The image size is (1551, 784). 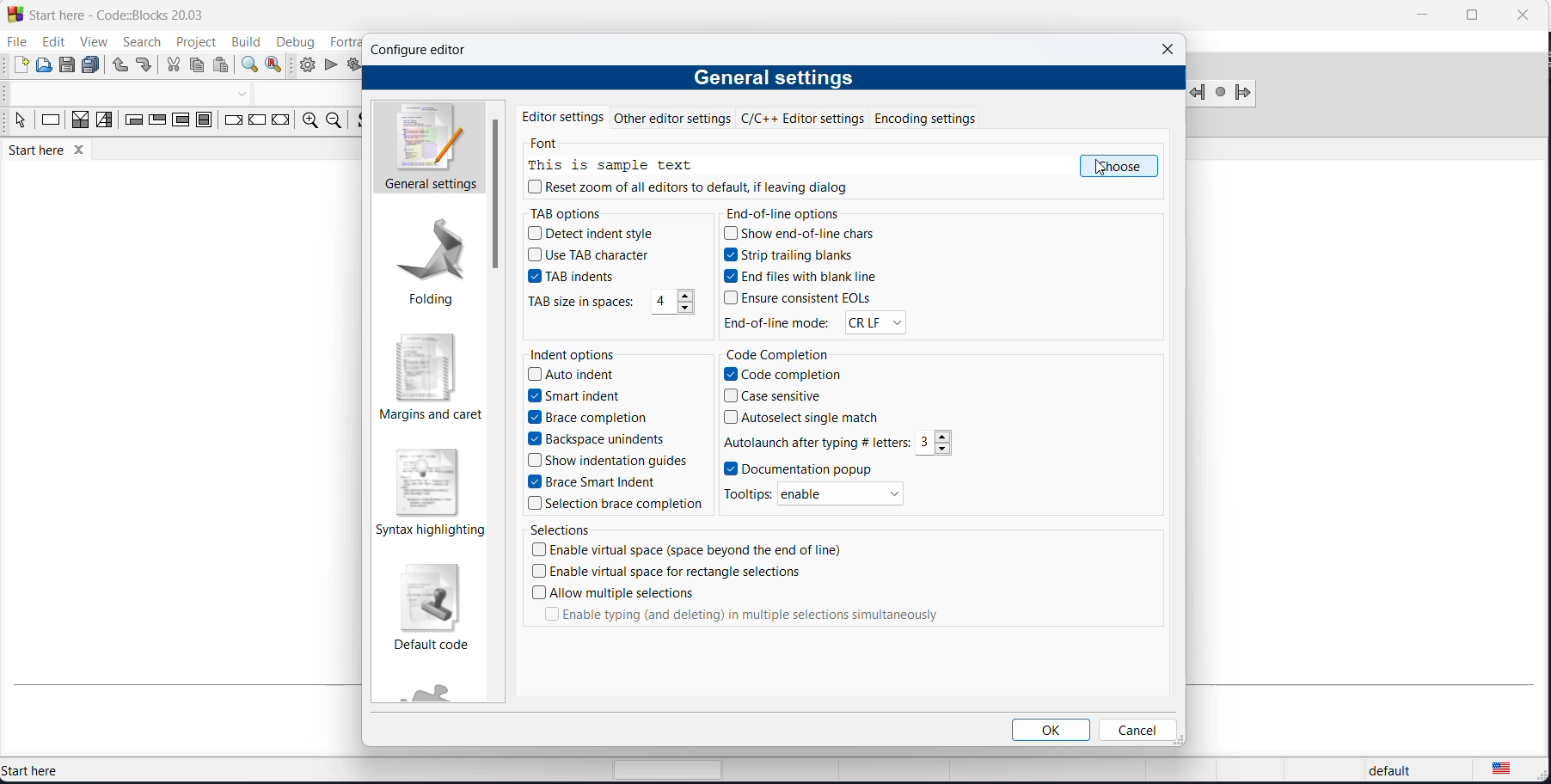 What do you see at coordinates (694, 553) in the screenshot?
I see `enable virtual space checkbox` at bounding box center [694, 553].